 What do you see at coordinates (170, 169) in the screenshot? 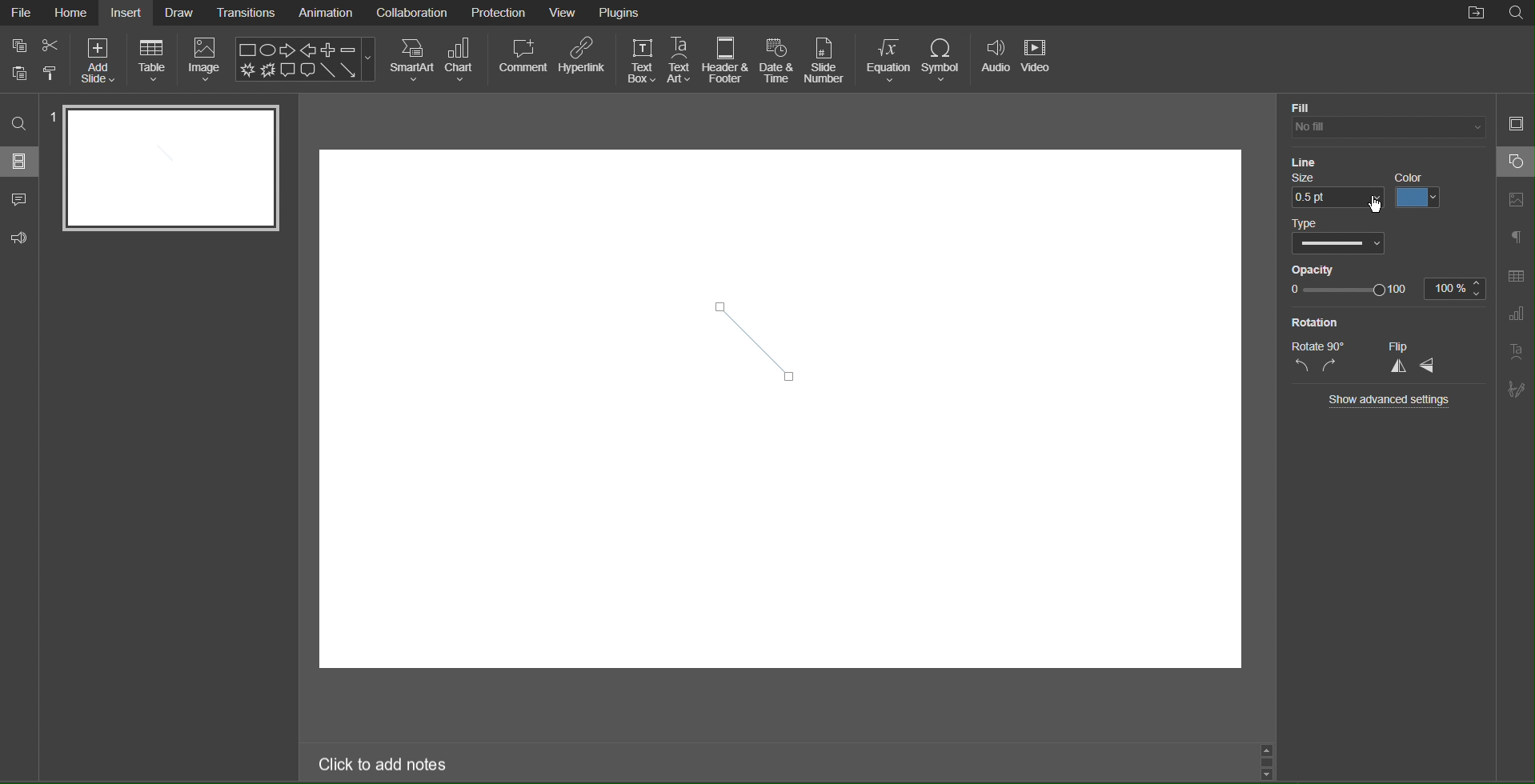
I see `Slide 1` at bounding box center [170, 169].